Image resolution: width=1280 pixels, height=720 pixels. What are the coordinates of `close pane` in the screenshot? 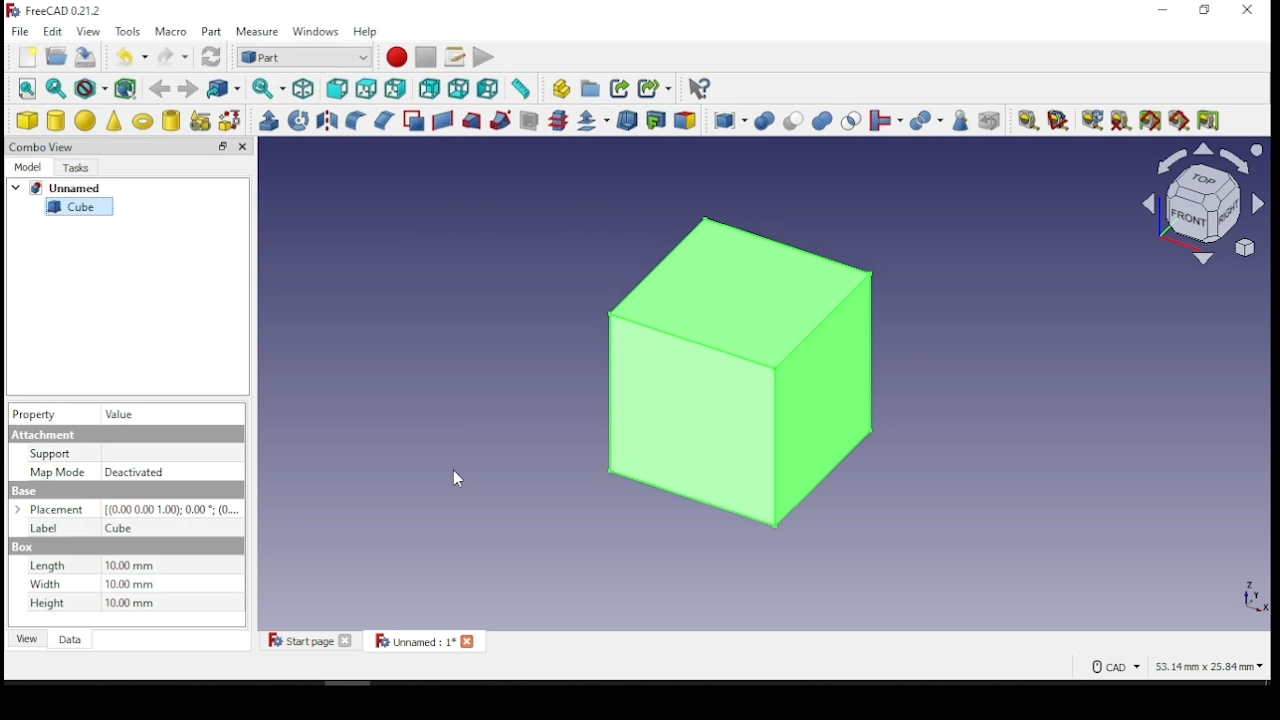 It's located at (242, 146).